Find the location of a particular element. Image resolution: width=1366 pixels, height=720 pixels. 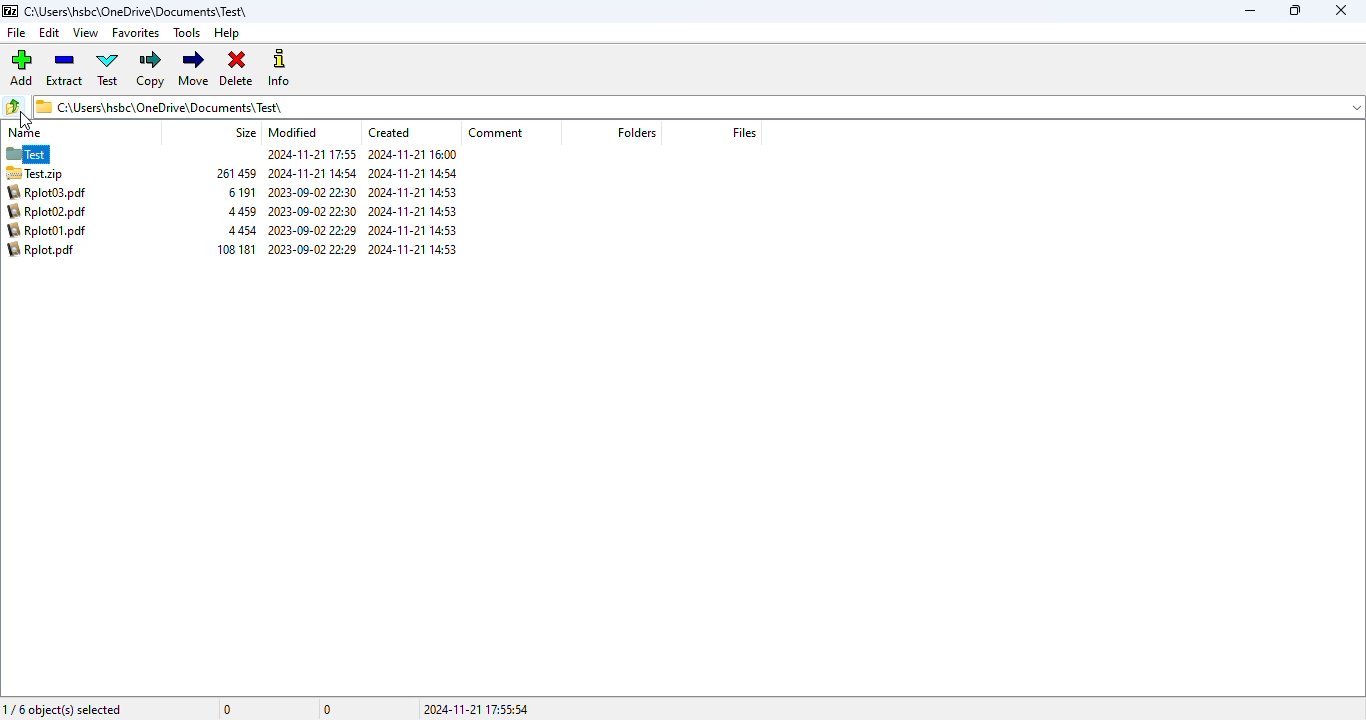

modified is located at coordinates (292, 133).